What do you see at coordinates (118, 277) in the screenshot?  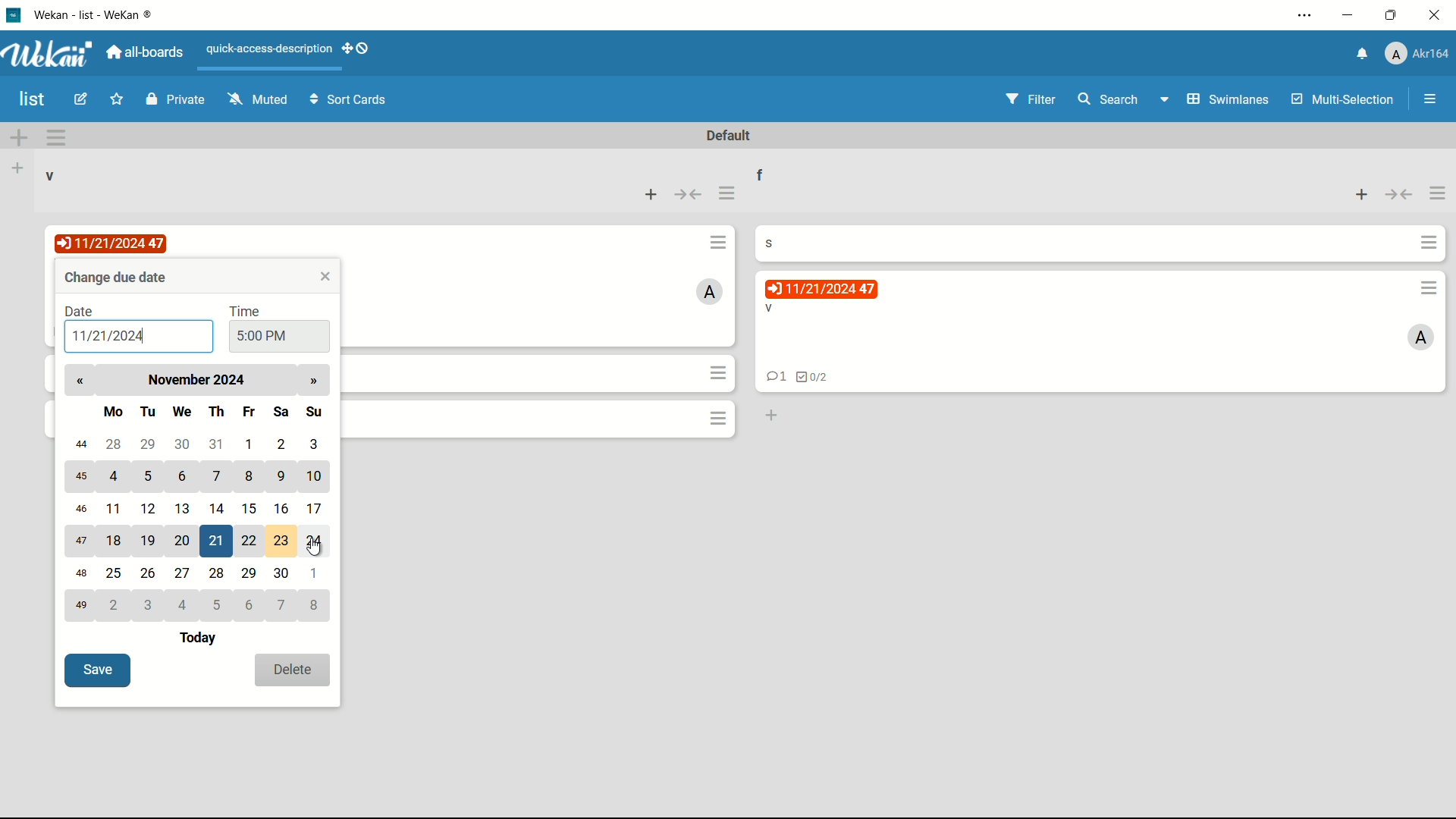 I see `change due date` at bounding box center [118, 277].